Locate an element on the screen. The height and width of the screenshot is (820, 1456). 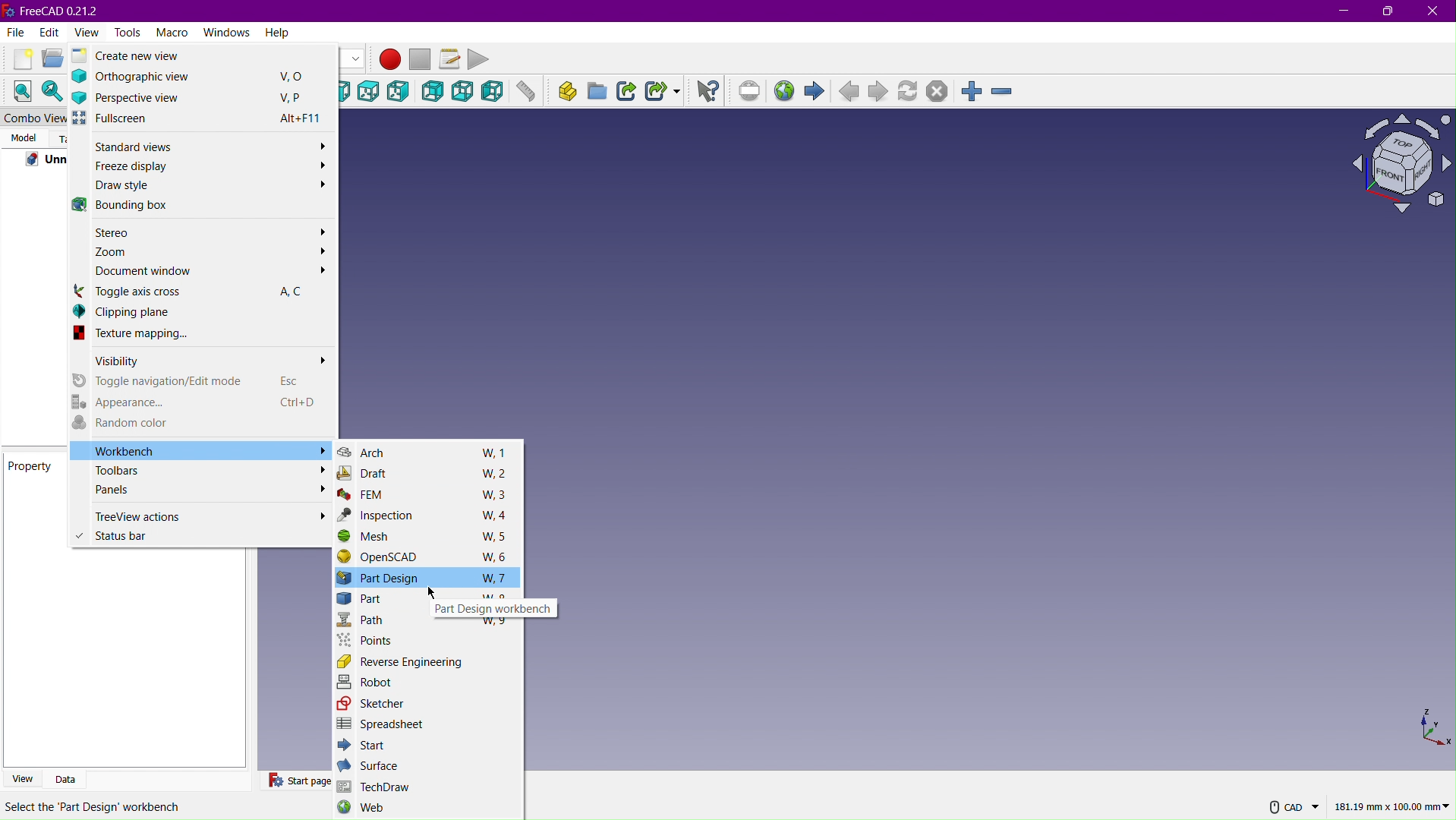
Sketcher is located at coordinates (373, 707).